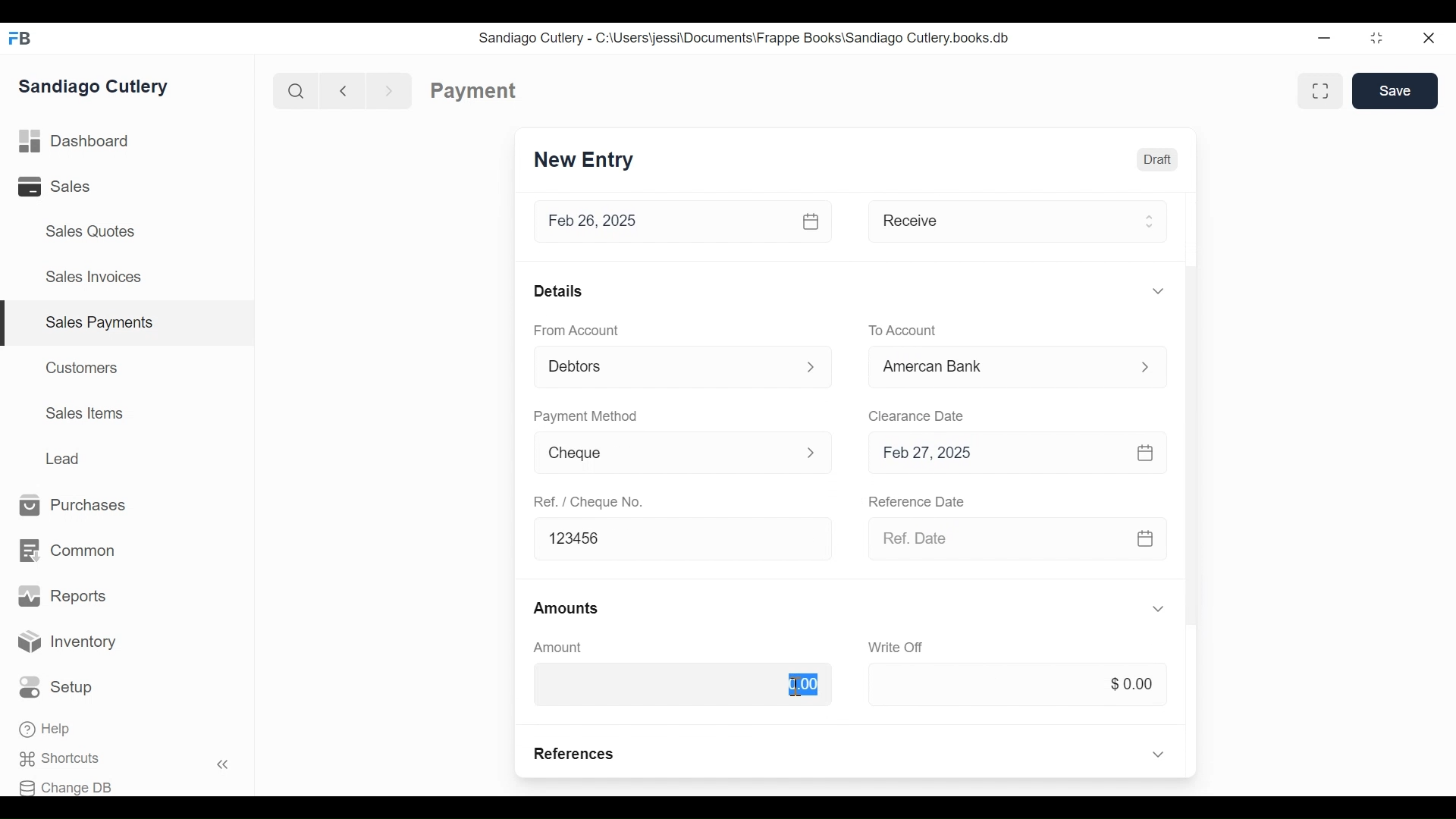  Describe the element at coordinates (21, 38) in the screenshot. I see `Frappe Books` at that location.